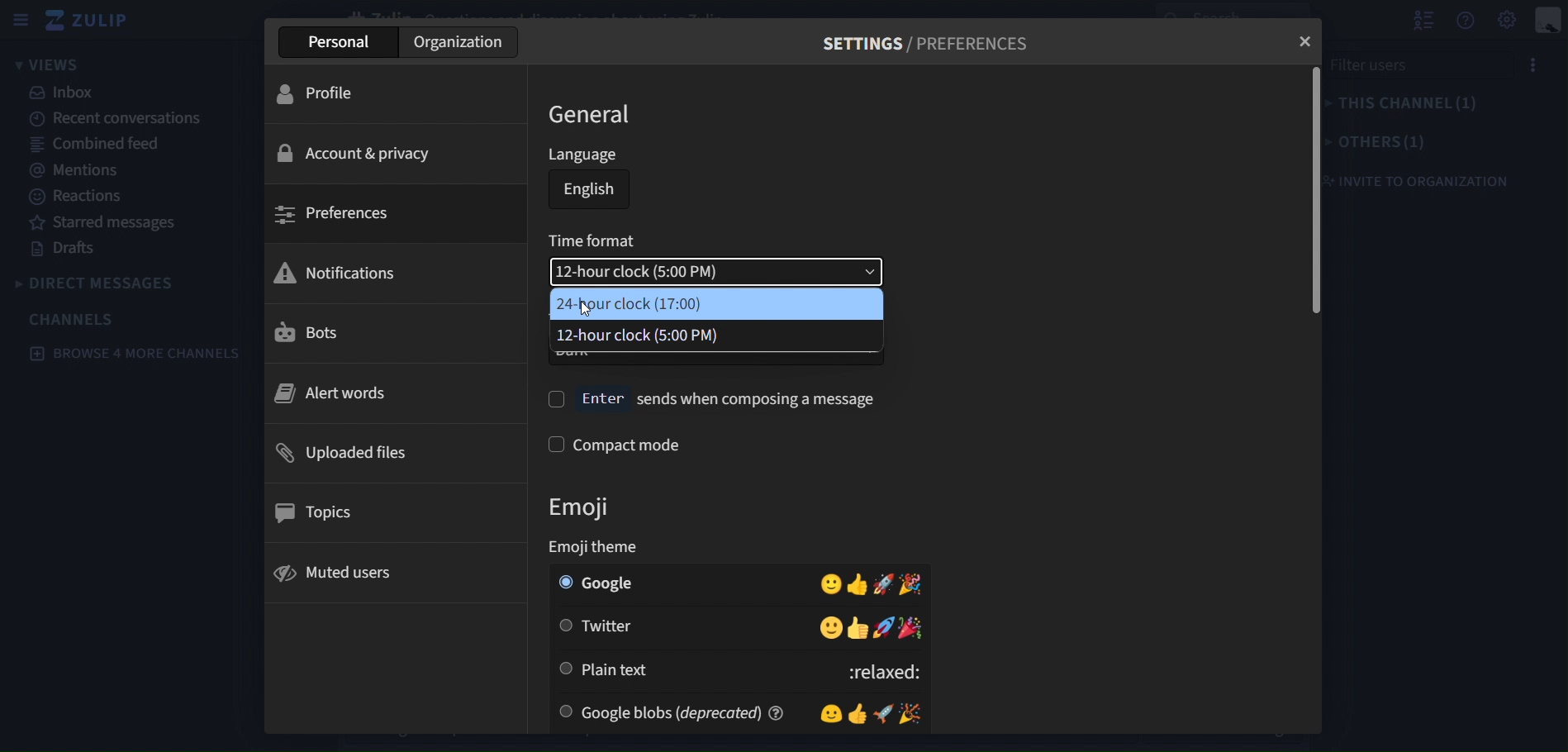 The width and height of the screenshot is (1568, 752). What do you see at coordinates (588, 113) in the screenshot?
I see `general` at bounding box center [588, 113].